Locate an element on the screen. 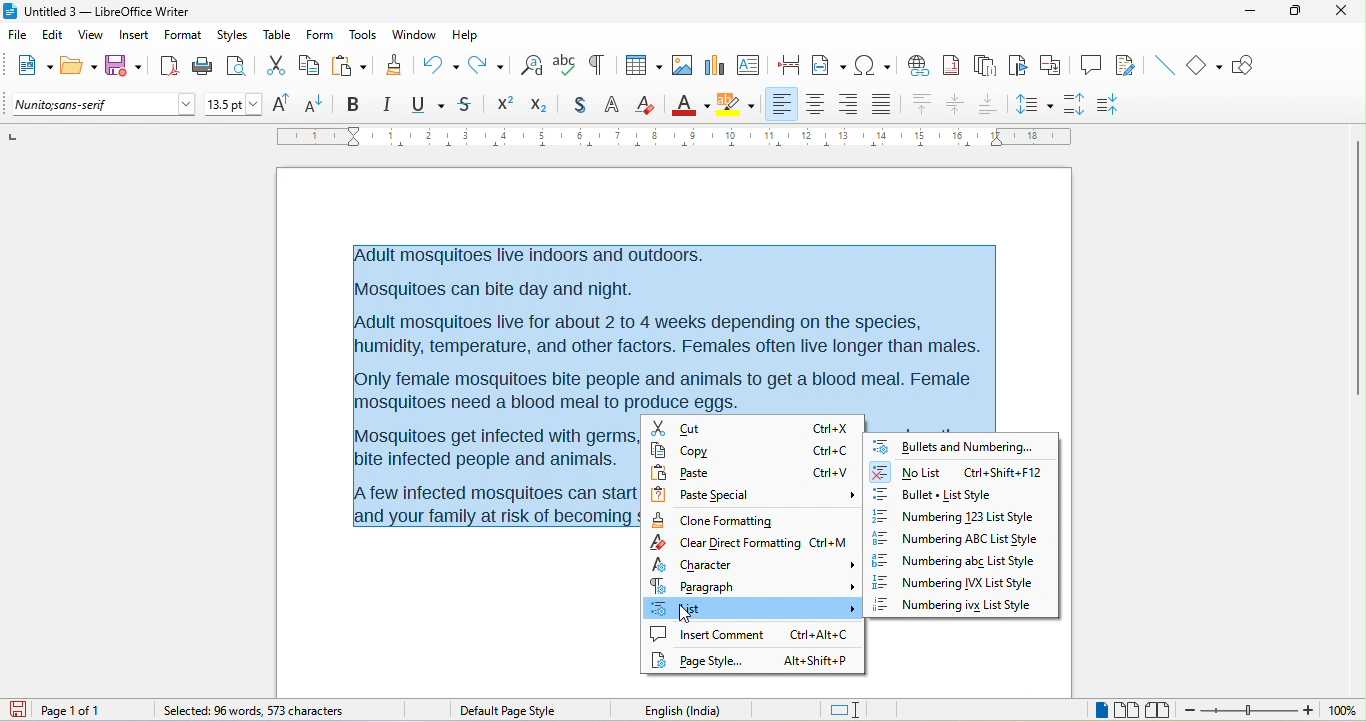 The width and height of the screenshot is (1366, 722). font name is located at coordinates (103, 105).